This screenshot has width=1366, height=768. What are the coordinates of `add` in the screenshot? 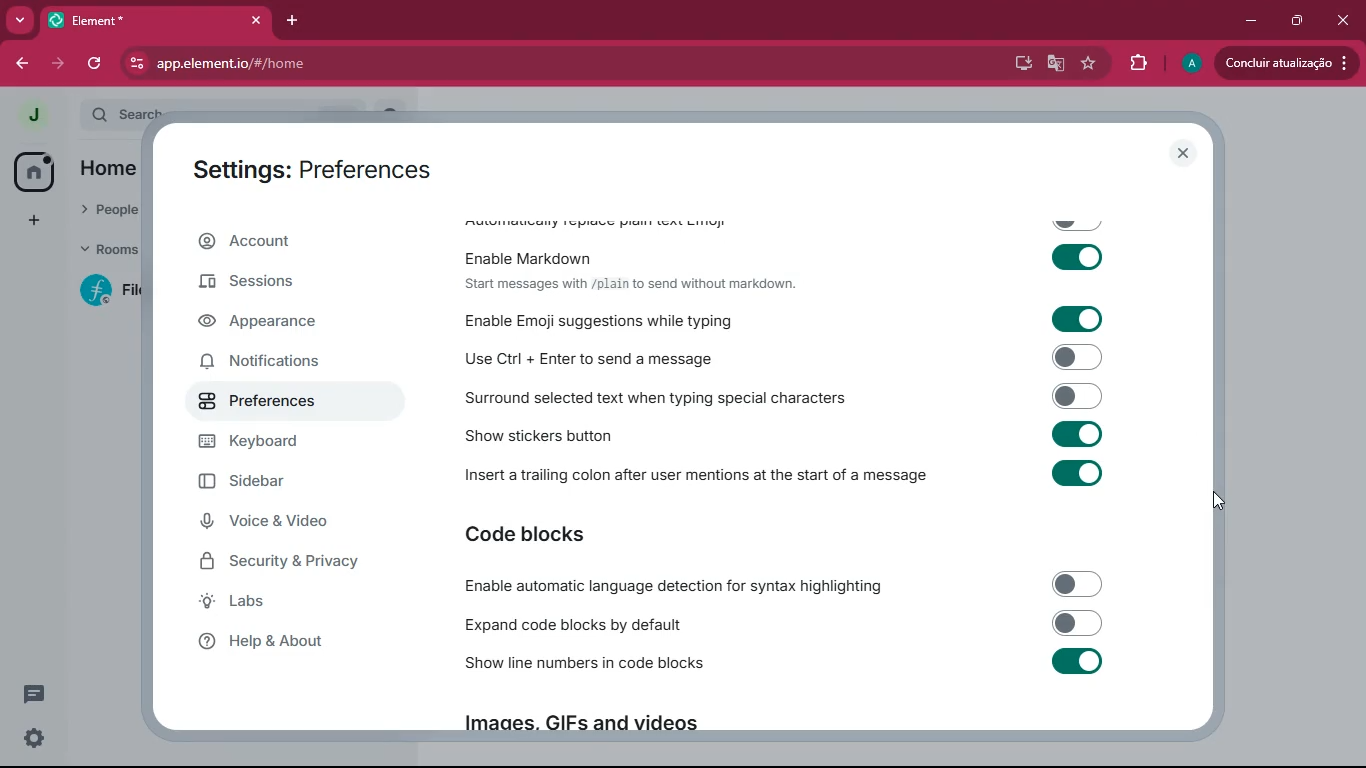 It's located at (34, 221).